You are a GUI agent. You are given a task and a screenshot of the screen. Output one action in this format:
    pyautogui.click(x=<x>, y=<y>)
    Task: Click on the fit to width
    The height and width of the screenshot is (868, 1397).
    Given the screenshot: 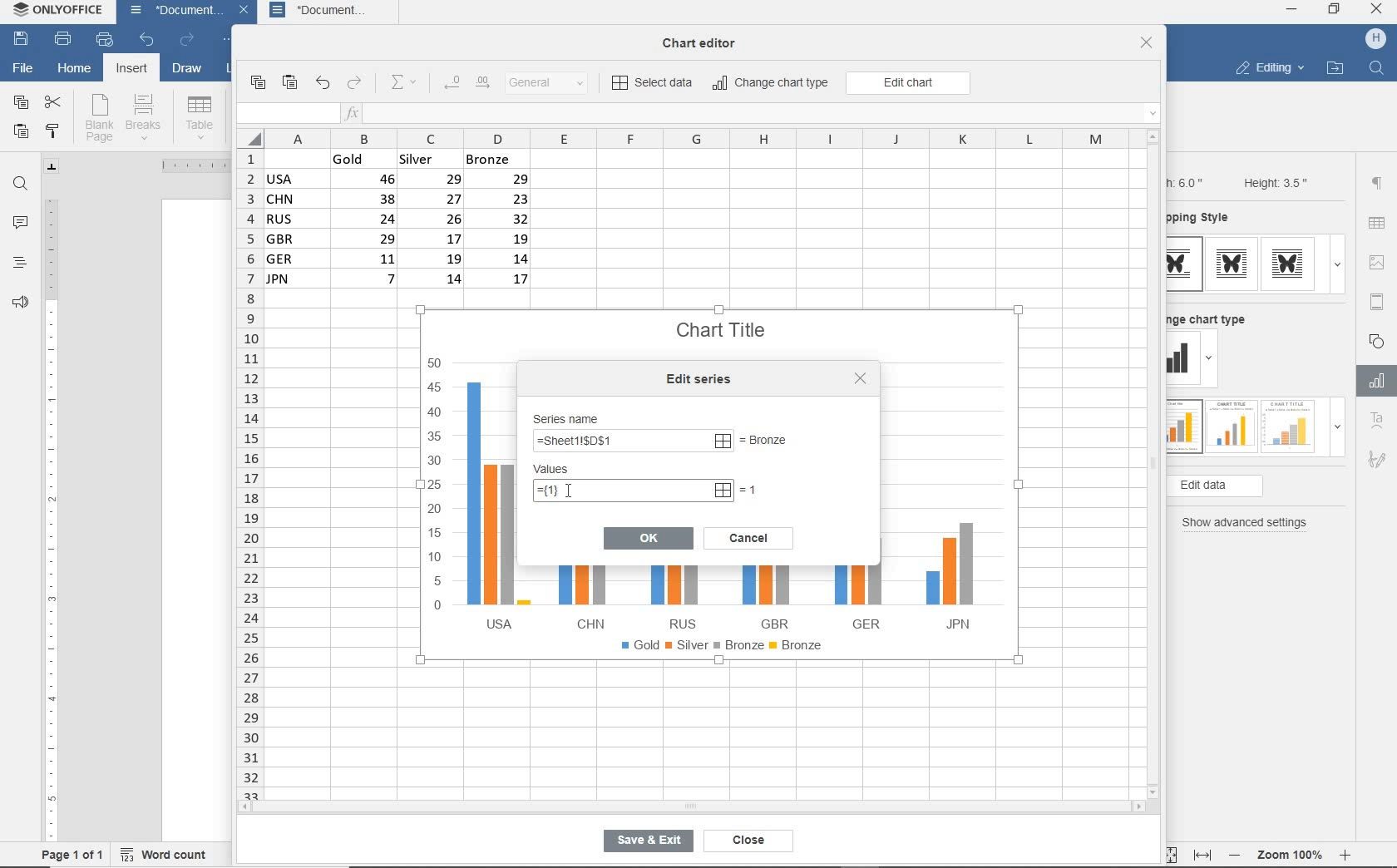 What is the action you would take?
    pyautogui.click(x=1202, y=855)
    